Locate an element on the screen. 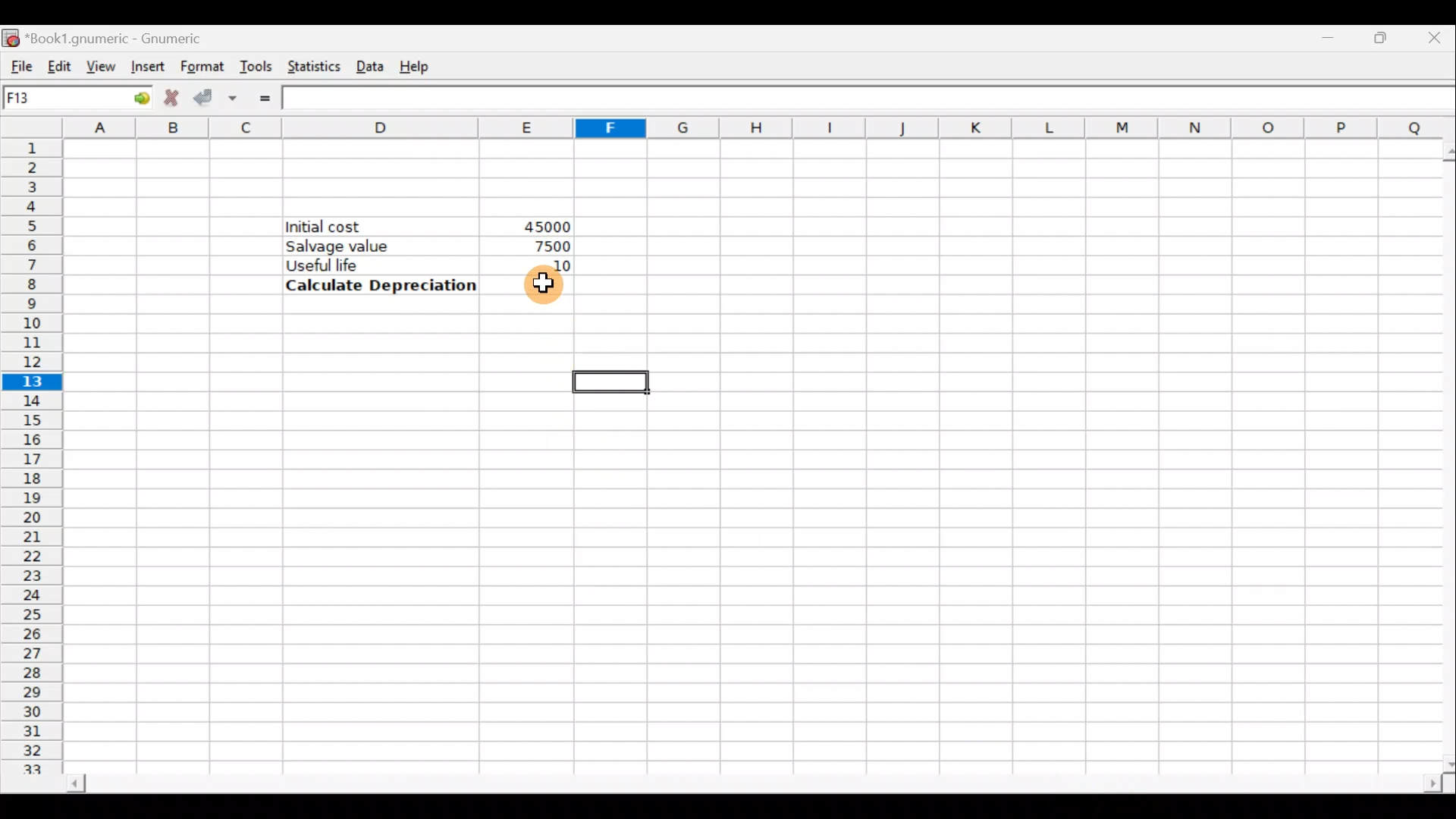  Help is located at coordinates (420, 62).